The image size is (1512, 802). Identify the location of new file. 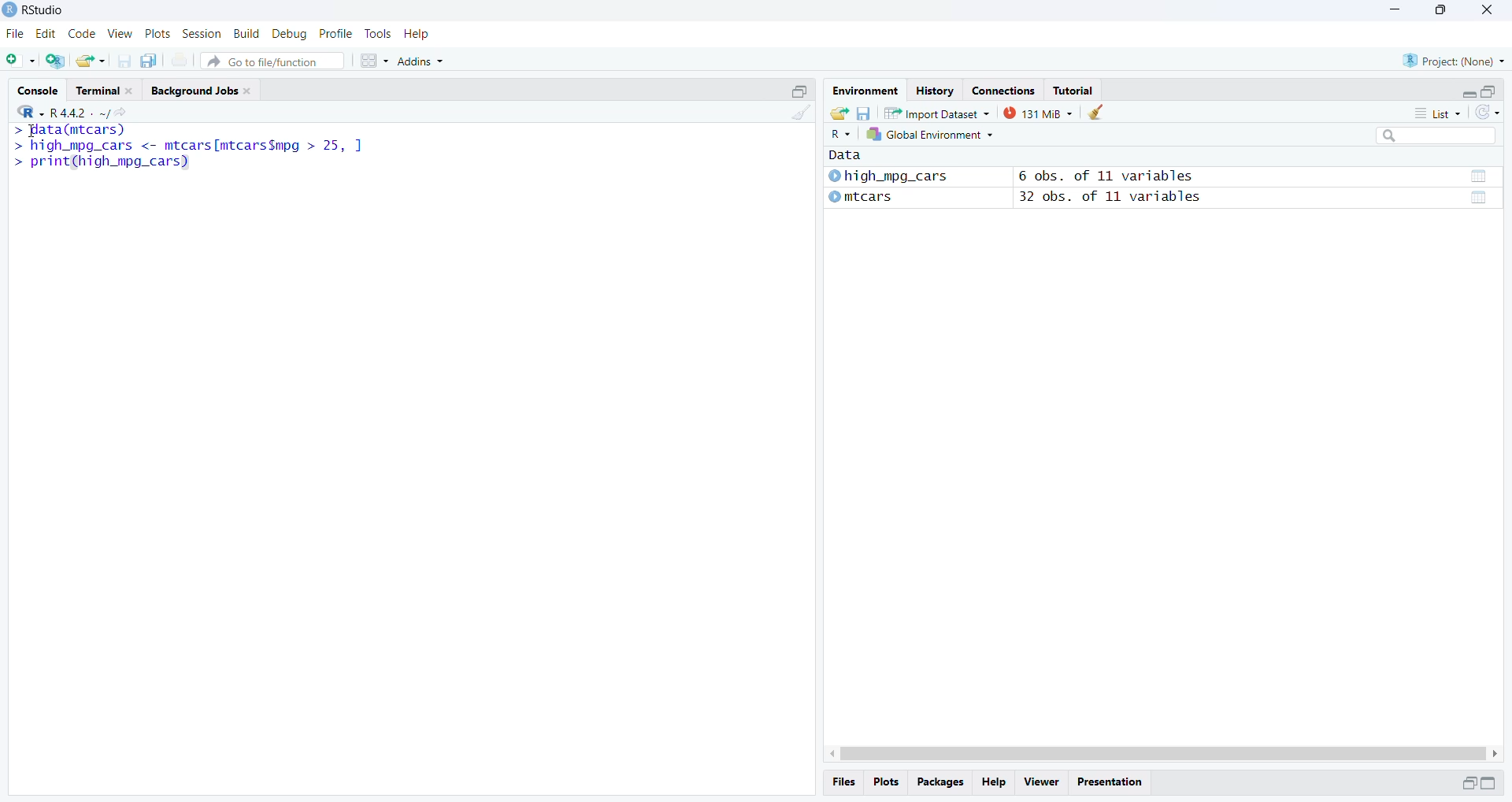
(21, 61).